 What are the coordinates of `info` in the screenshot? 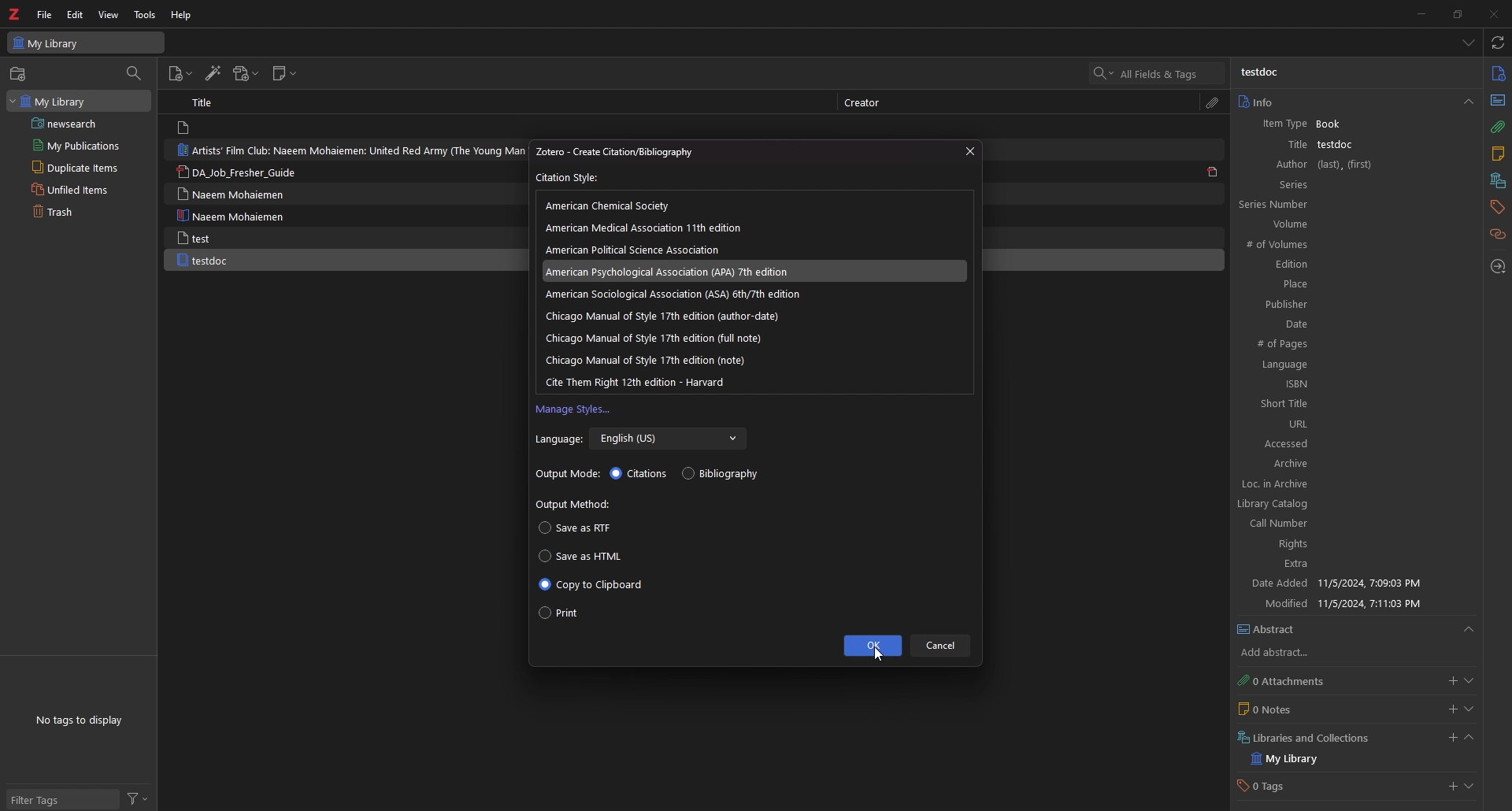 It's located at (1498, 74).